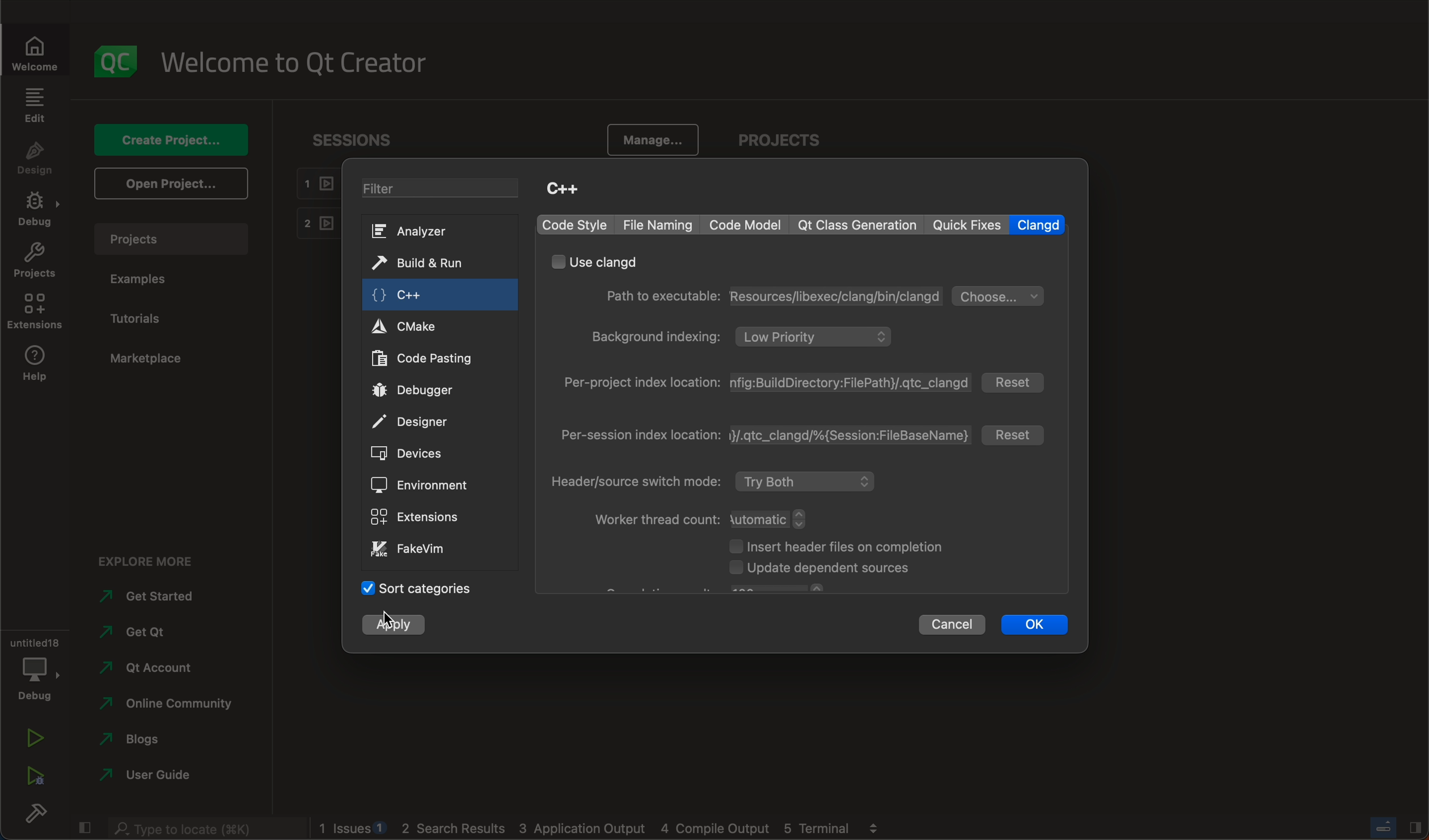 The height and width of the screenshot is (840, 1429). I want to click on header , so click(714, 481).